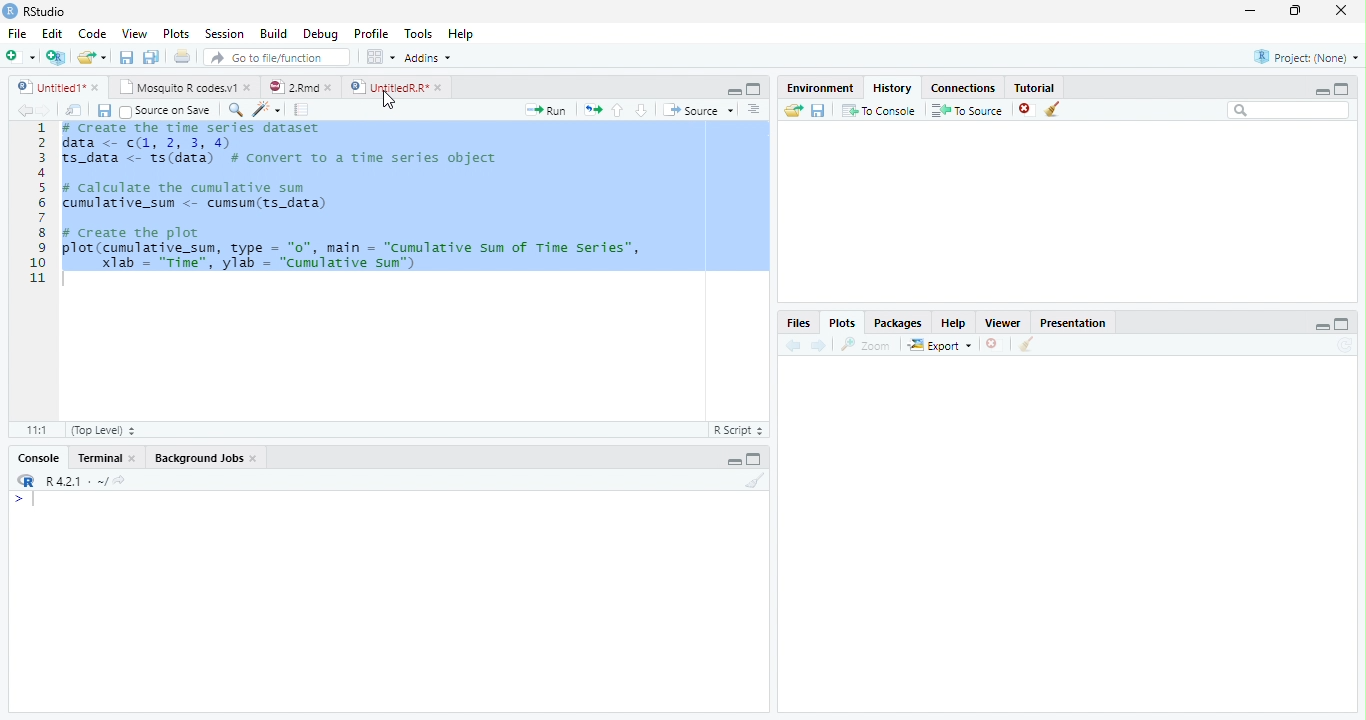  What do you see at coordinates (1036, 86) in the screenshot?
I see `Tutorial` at bounding box center [1036, 86].